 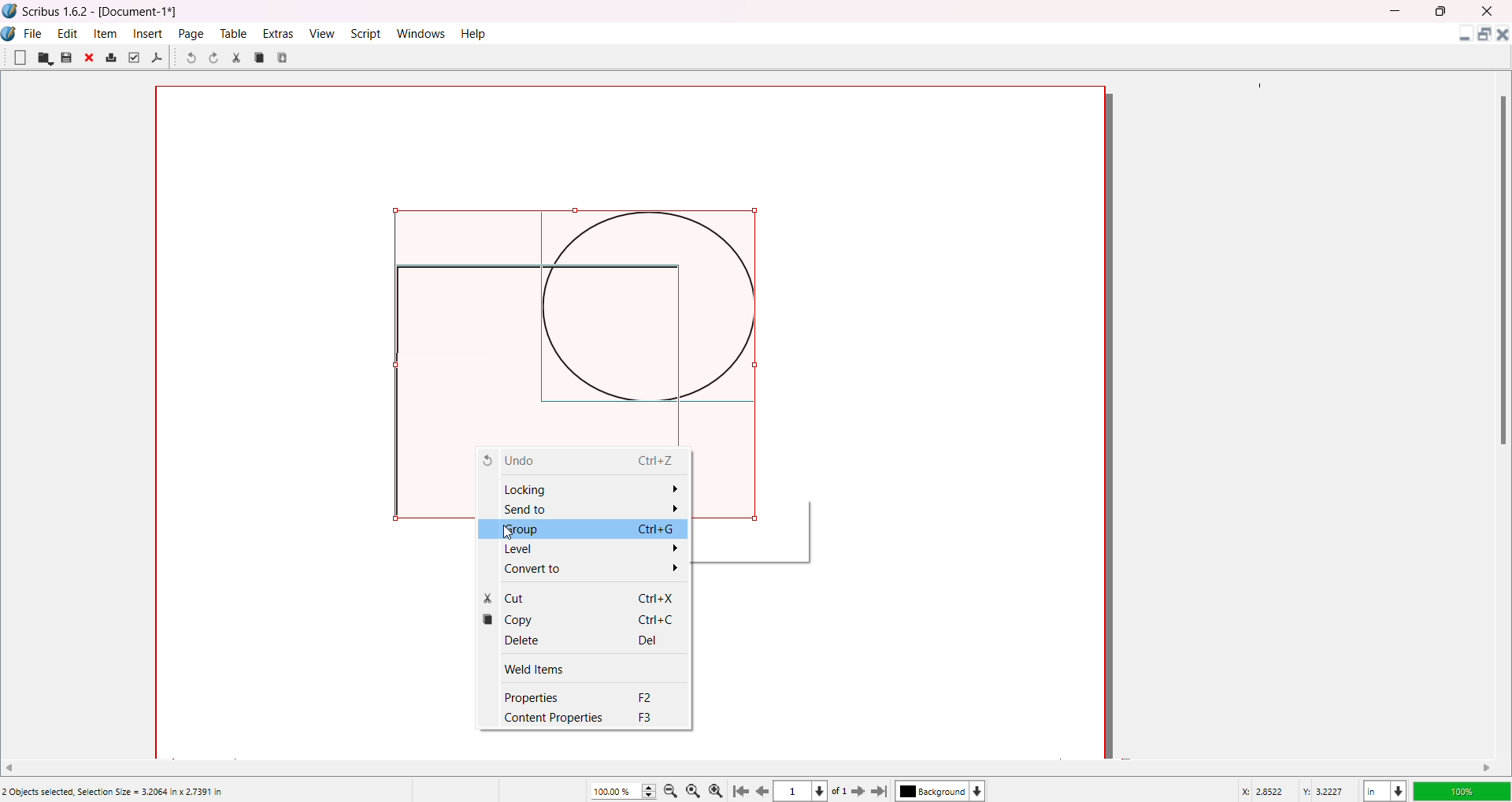 What do you see at coordinates (719, 789) in the screenshot?
I see `Zoom in` at bounding box center [719, 789].